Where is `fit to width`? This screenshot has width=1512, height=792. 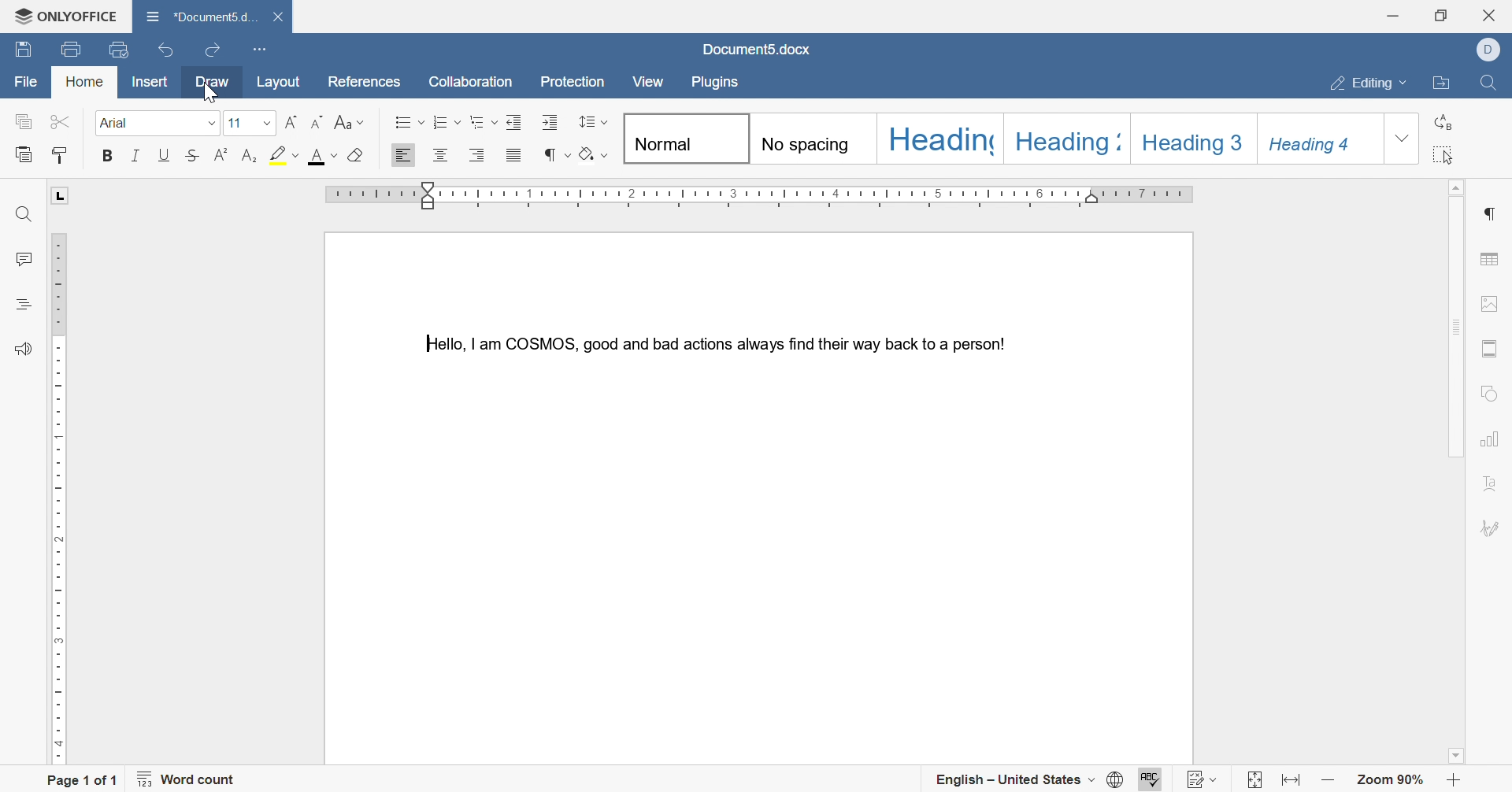 fit to width is located at coordinates (1293, 783).